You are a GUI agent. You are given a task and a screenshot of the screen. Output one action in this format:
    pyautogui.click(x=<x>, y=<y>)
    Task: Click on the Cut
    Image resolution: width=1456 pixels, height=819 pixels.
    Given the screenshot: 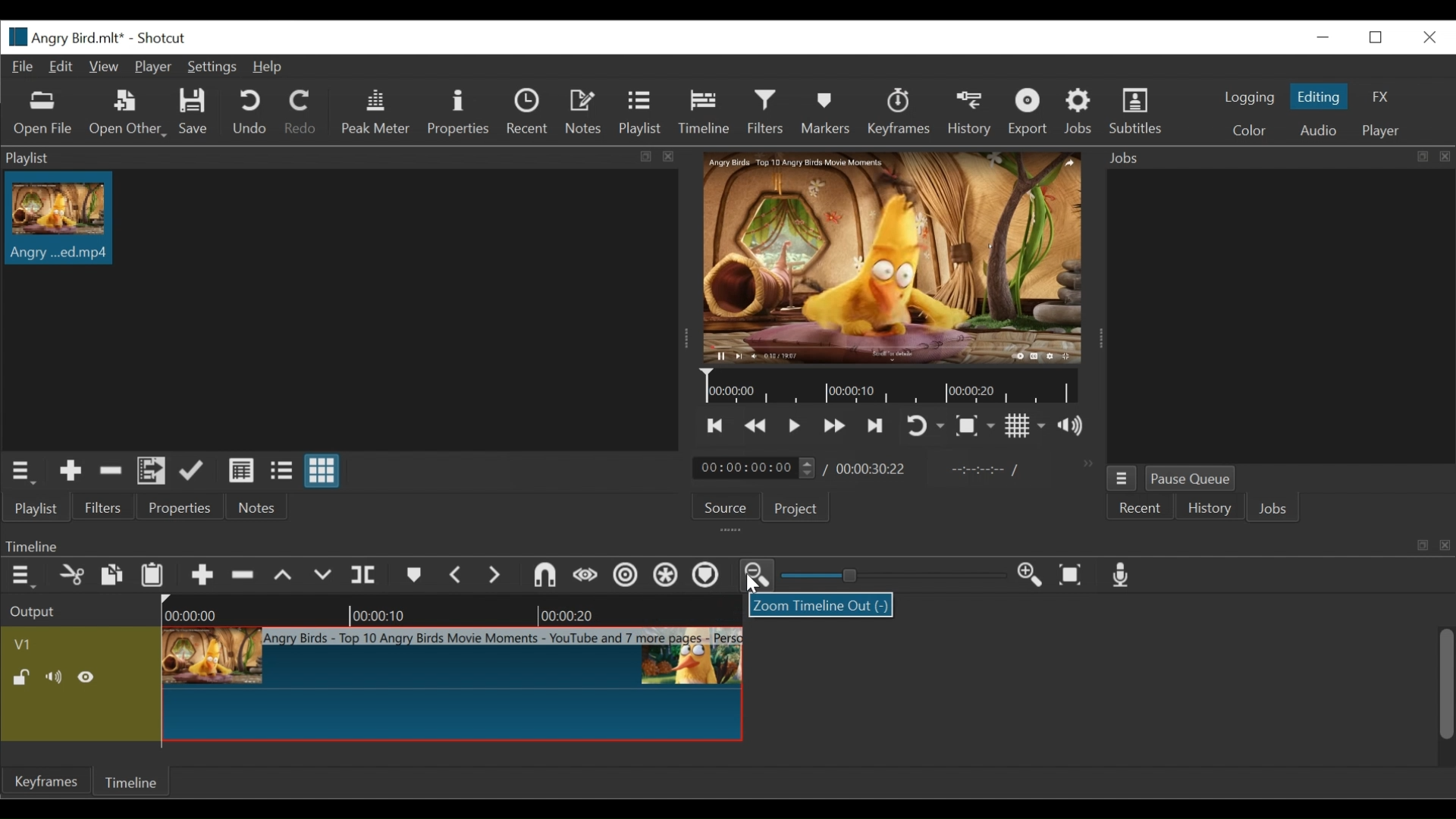 What is the action you would take?
    pyautogui.click(x=70, y=575)
    